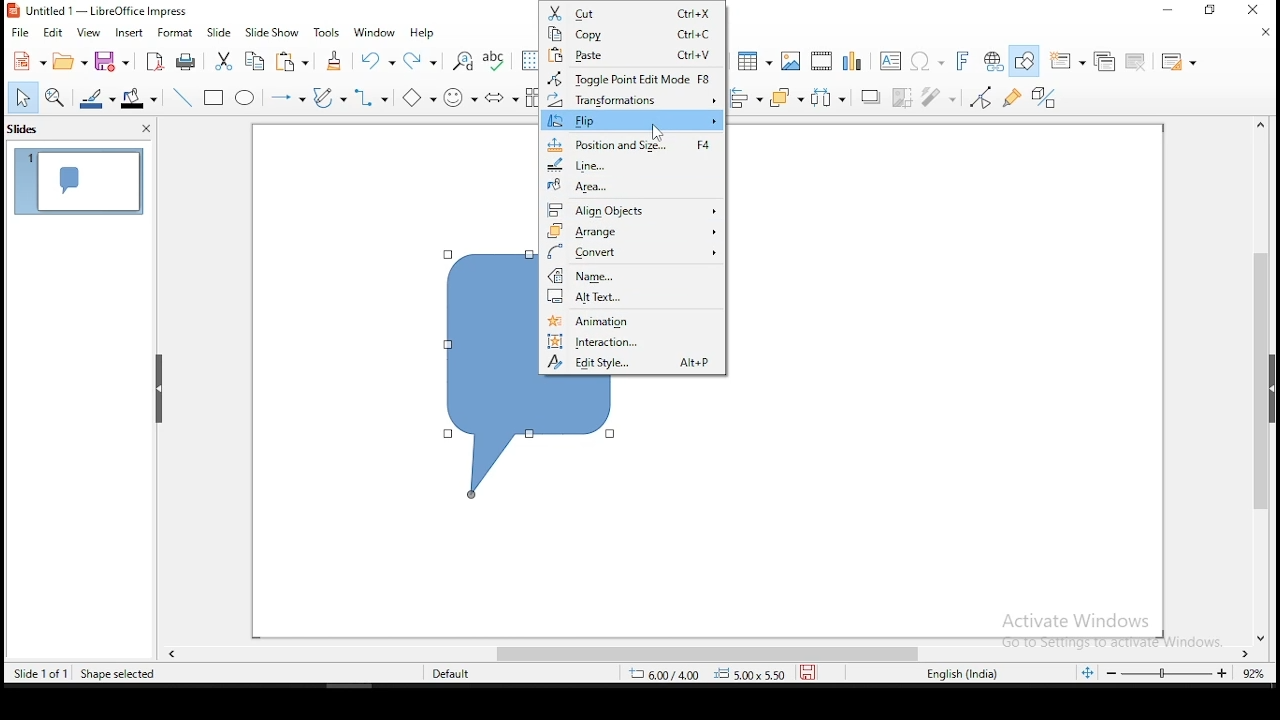 This screenshot has height=720, width=1280. I want to click on align objects, so click(744, 98).